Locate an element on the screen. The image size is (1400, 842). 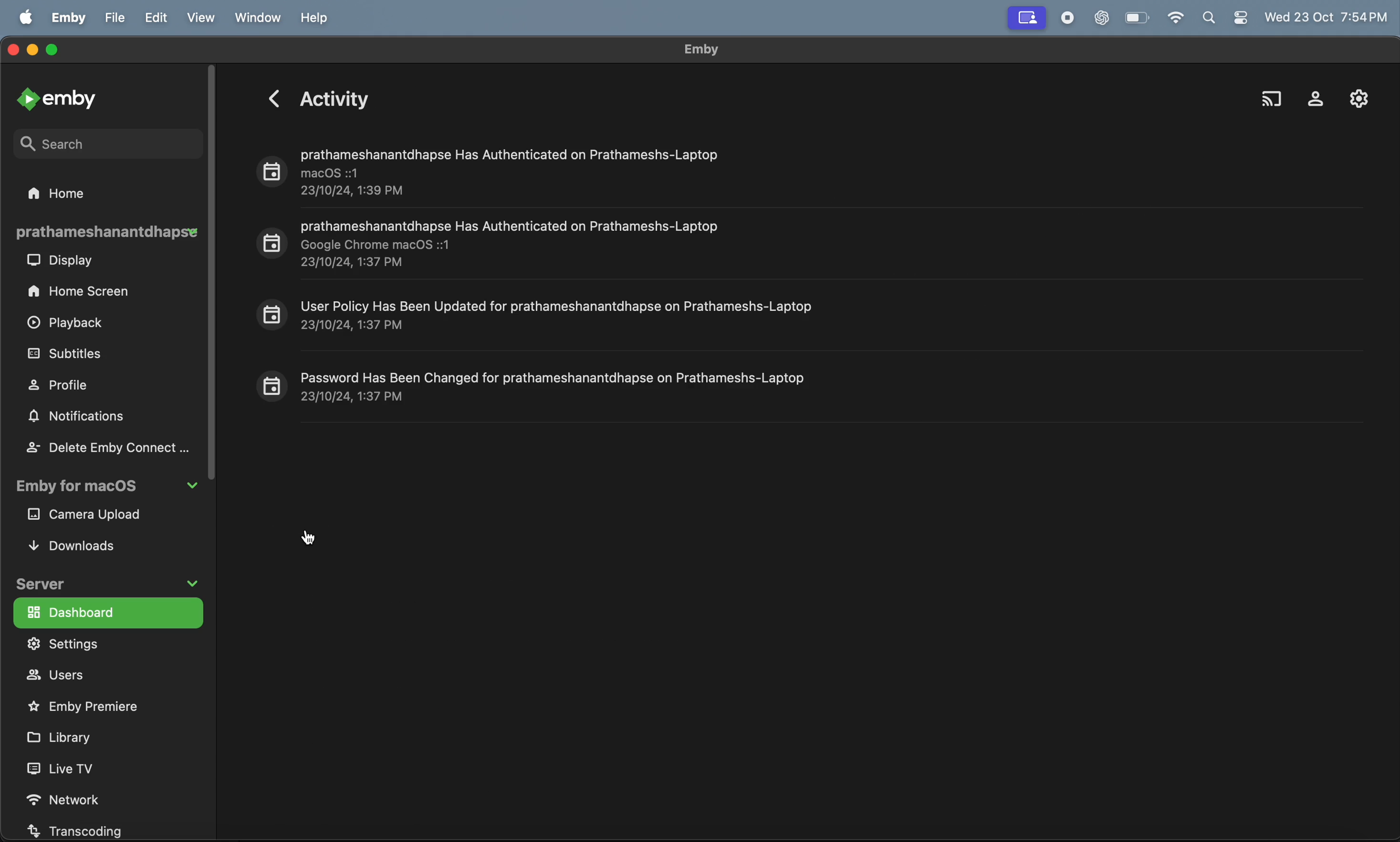
scrollbar is located at coordinates (212, 273).